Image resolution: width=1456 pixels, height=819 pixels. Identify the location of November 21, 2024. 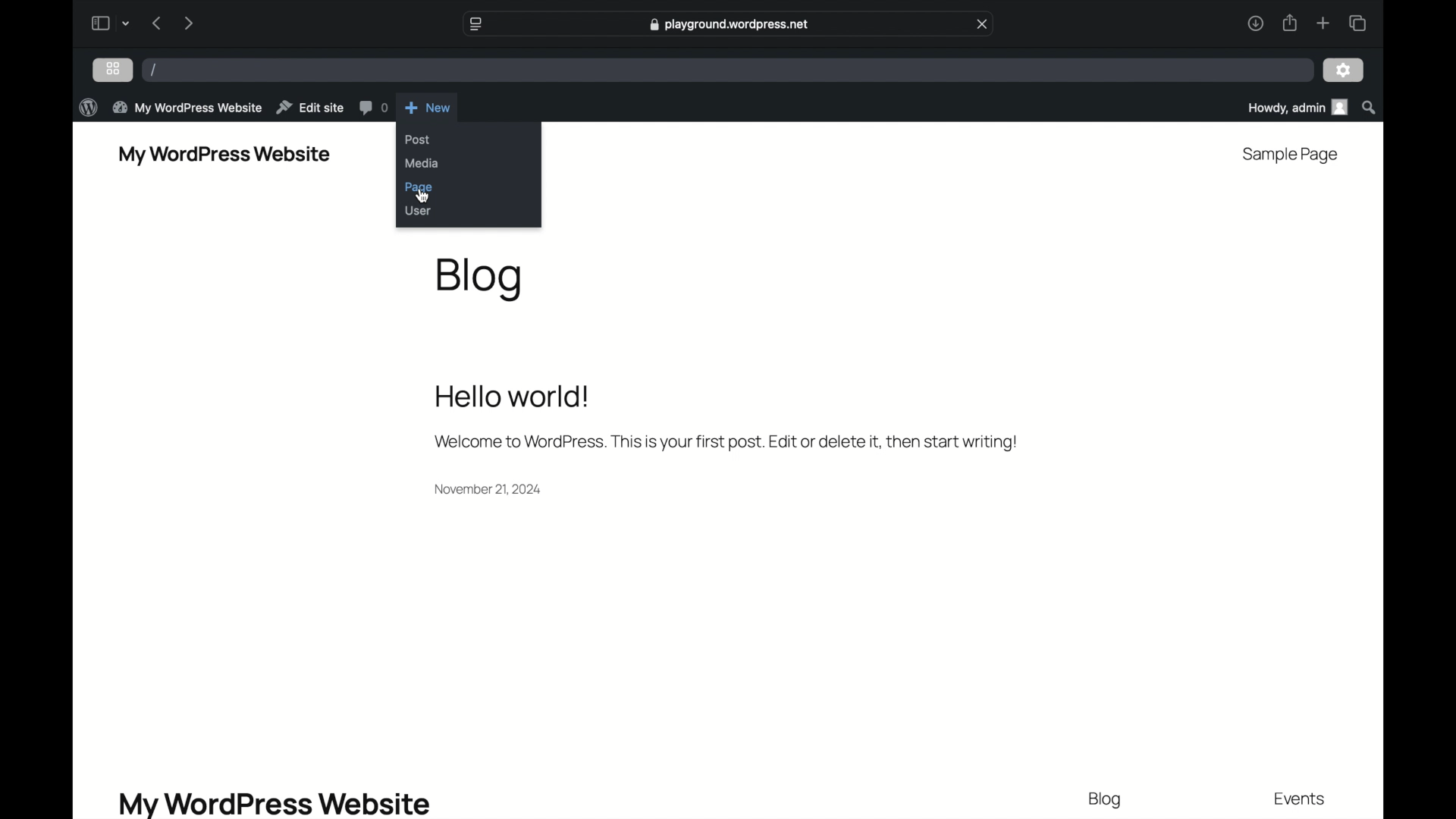
(494, 492).